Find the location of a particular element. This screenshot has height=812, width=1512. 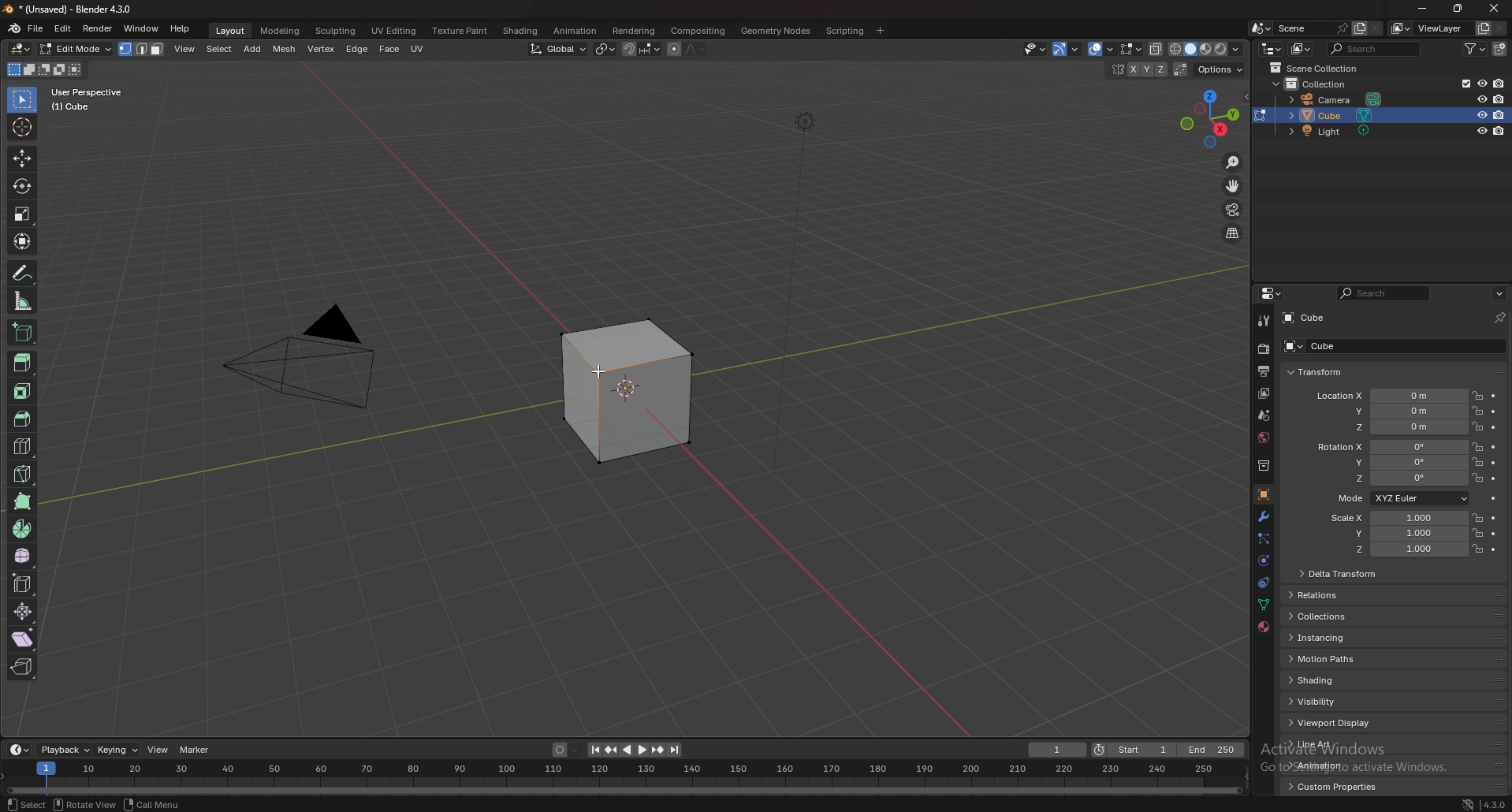

call menu is located at coordinates (151, 804).